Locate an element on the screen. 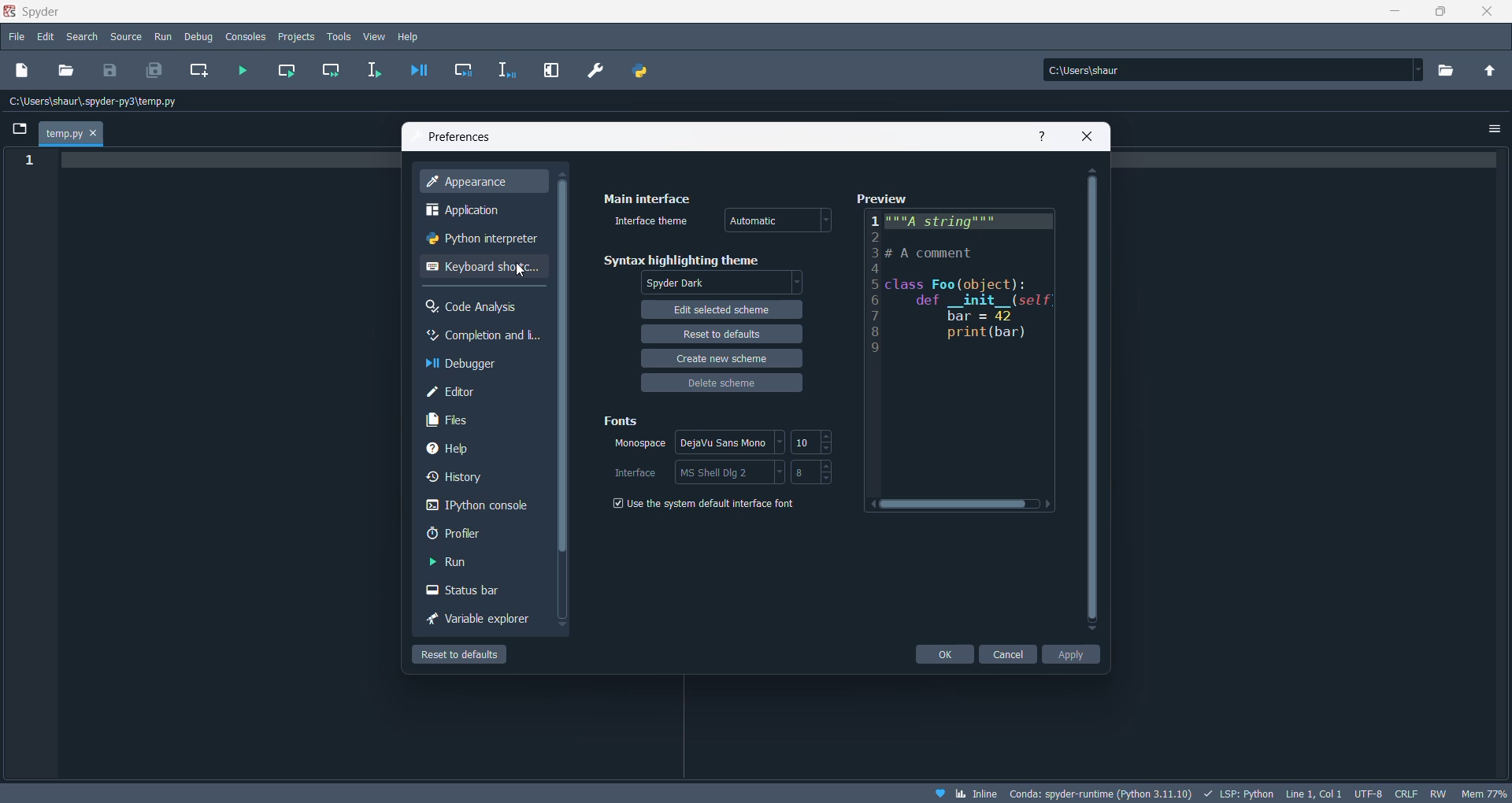  python interpreter is located at coordinates (479, 242).